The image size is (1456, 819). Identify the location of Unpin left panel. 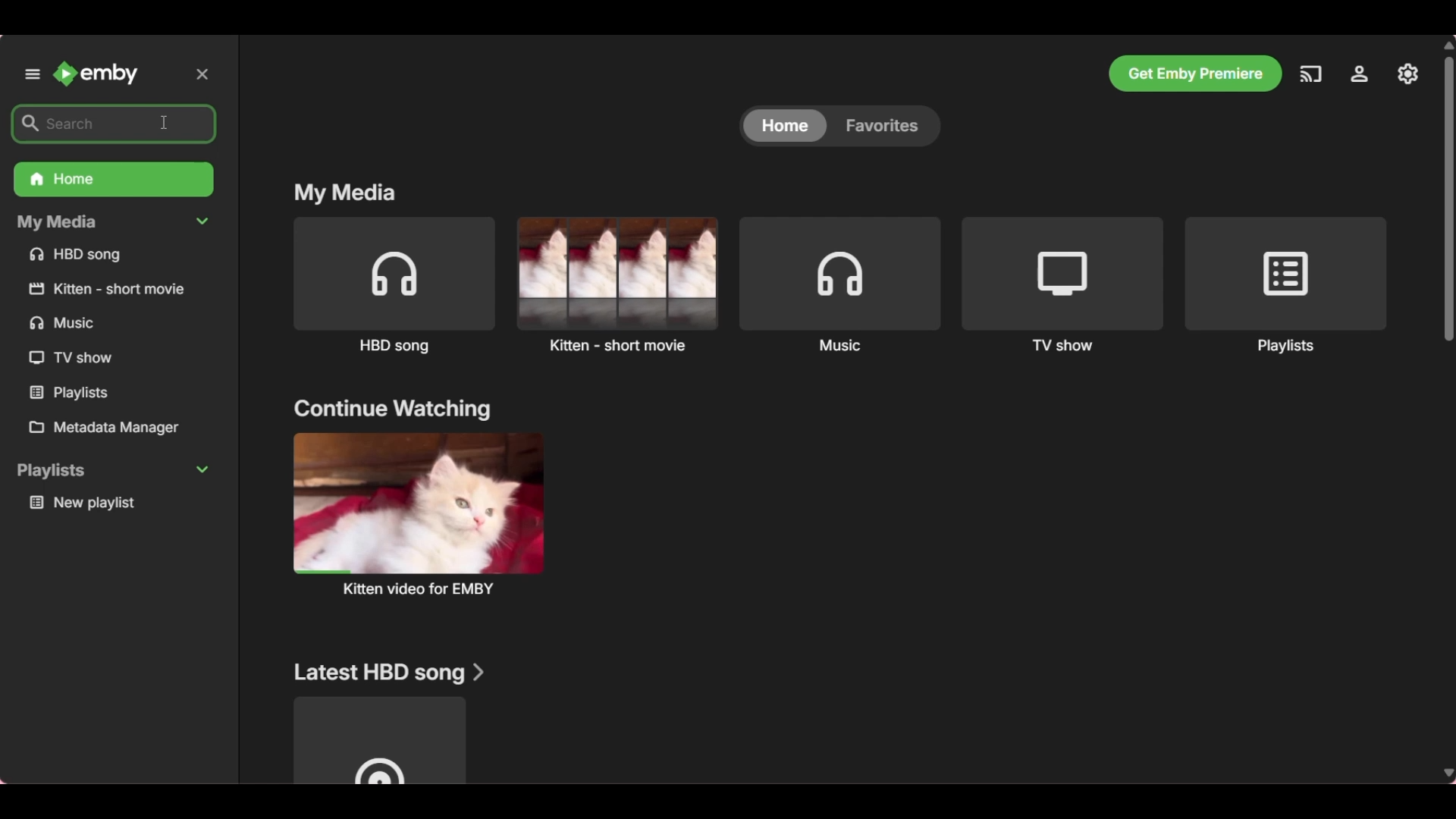
(31, 74).